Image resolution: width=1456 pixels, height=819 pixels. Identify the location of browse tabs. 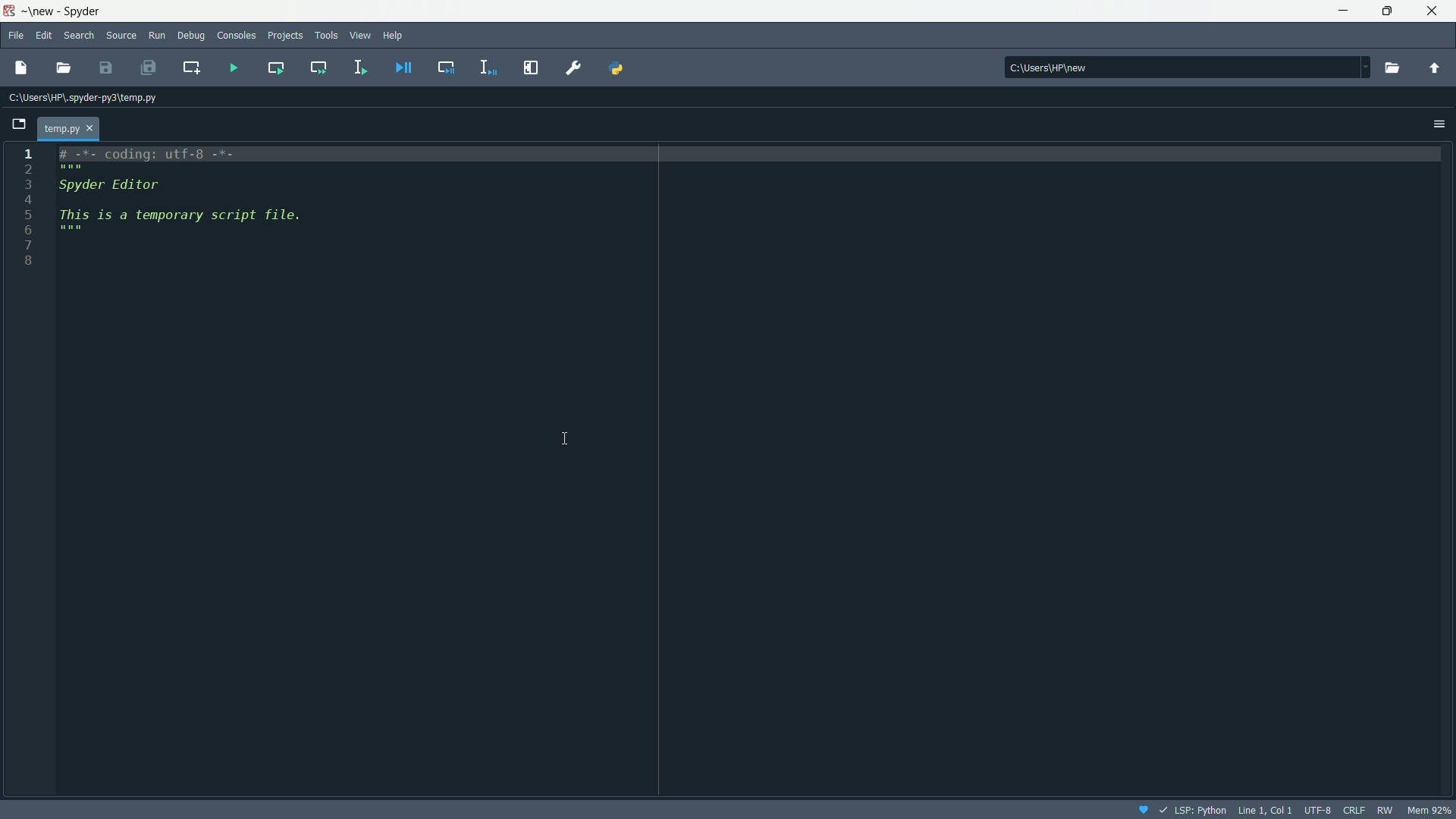
(21, 121).